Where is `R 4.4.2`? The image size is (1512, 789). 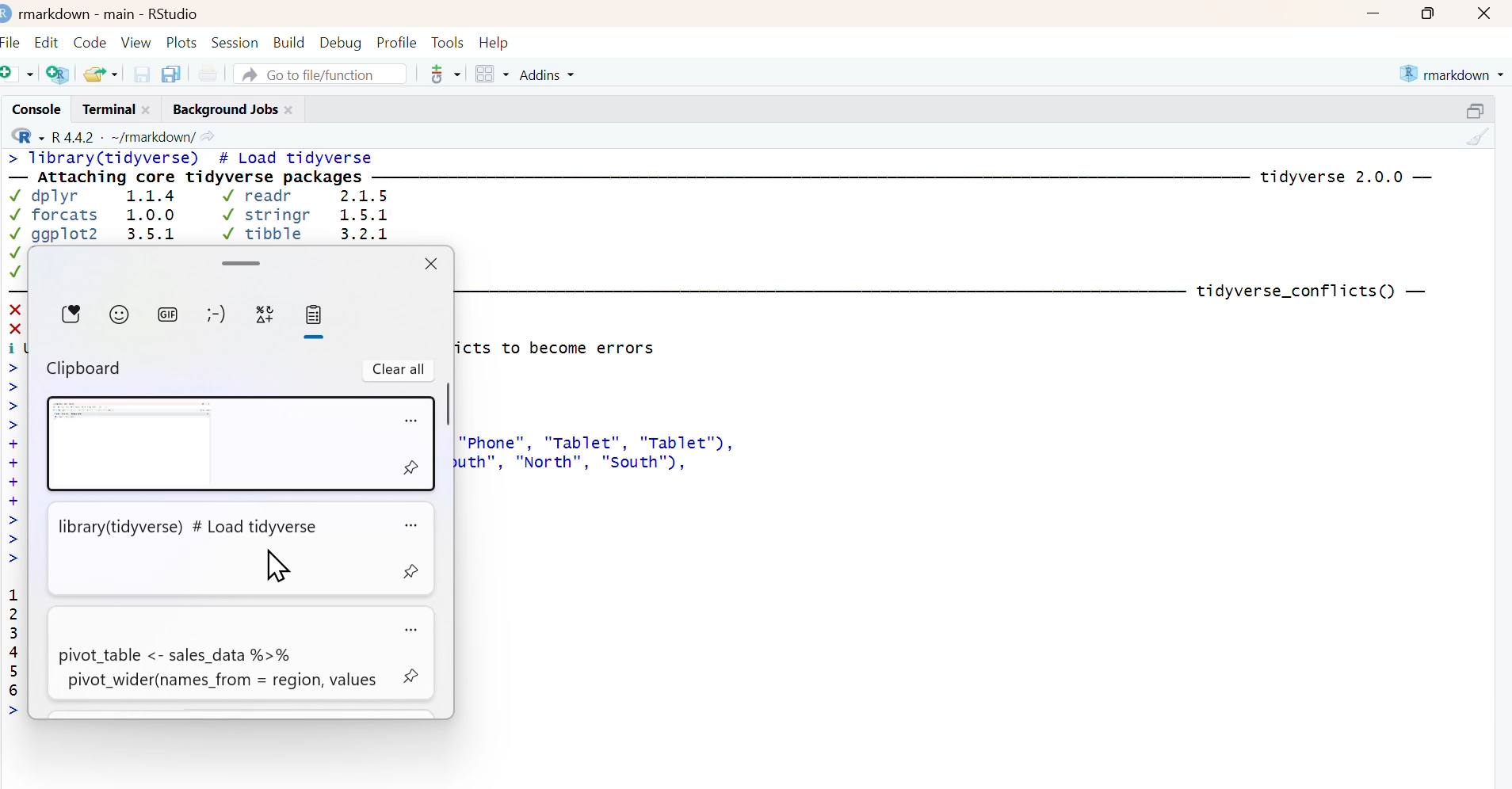
R 4.4.2 is located at coordinates (74, 135).